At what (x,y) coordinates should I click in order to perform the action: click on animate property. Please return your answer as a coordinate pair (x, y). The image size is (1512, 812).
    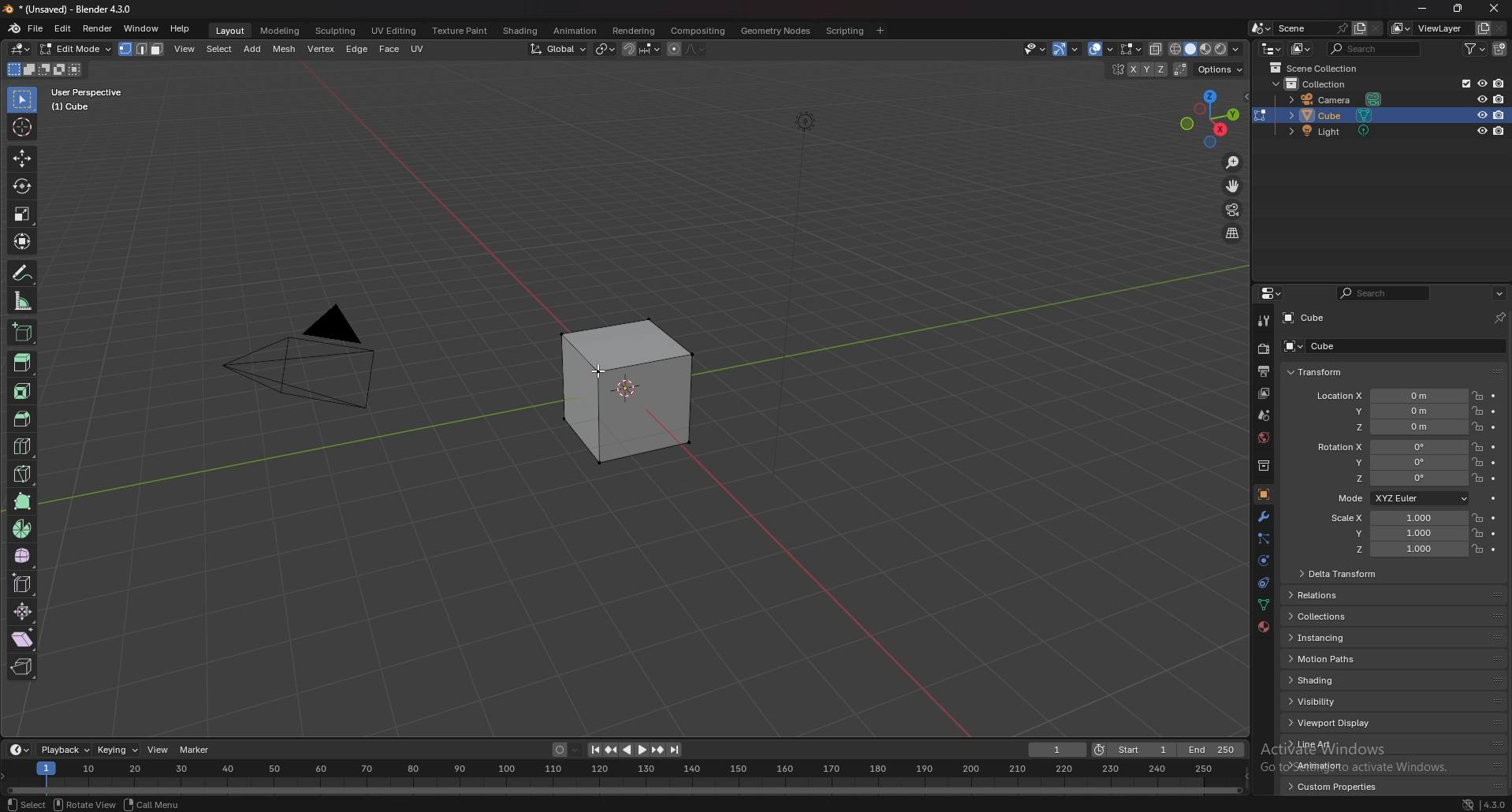
    Looking at the image, I should click on (1494, 479).